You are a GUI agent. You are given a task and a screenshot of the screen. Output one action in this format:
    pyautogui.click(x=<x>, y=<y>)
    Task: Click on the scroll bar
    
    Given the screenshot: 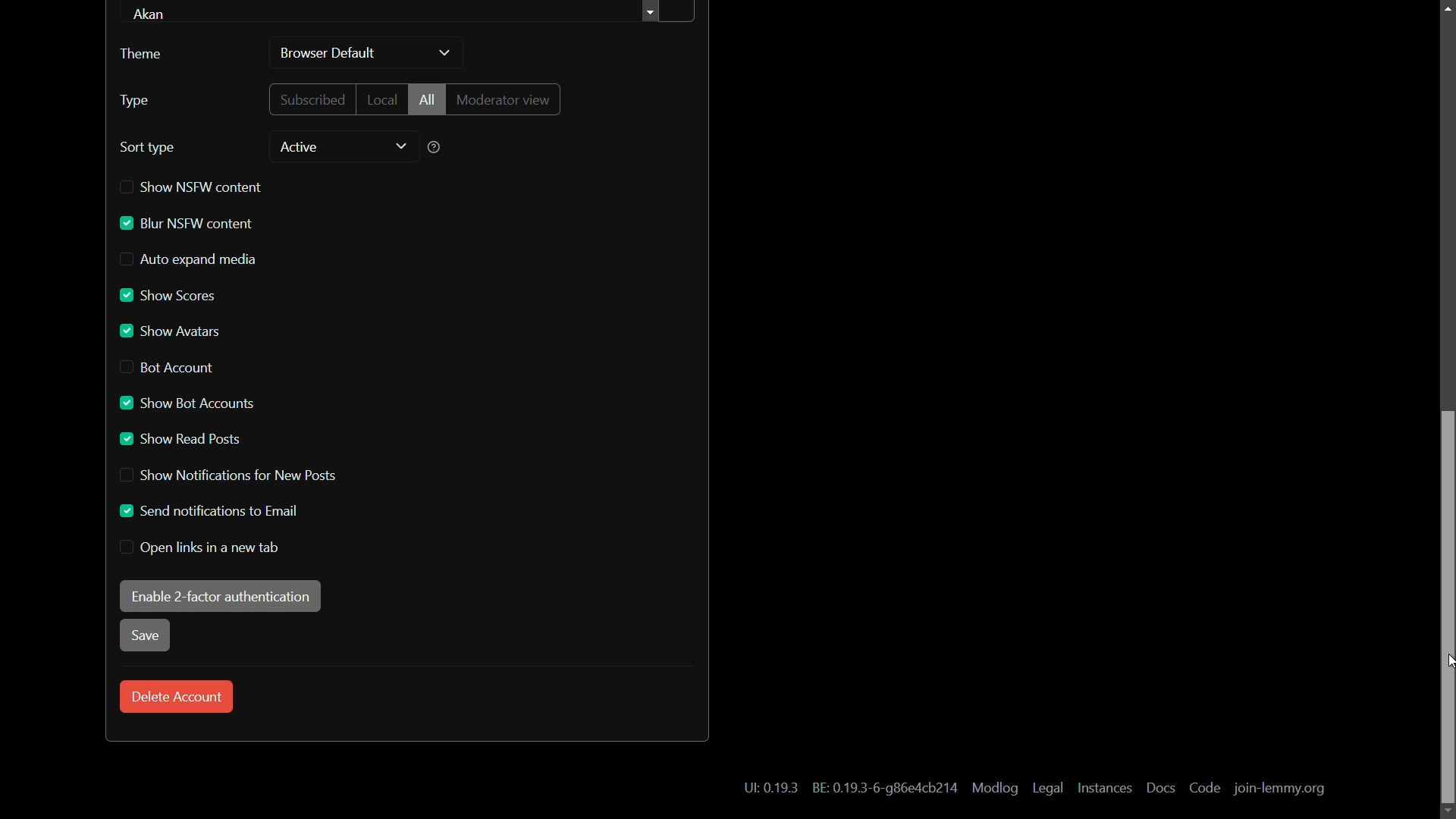 What is the action you would take?
    pyautogui.click(x=1447, y=608)
    